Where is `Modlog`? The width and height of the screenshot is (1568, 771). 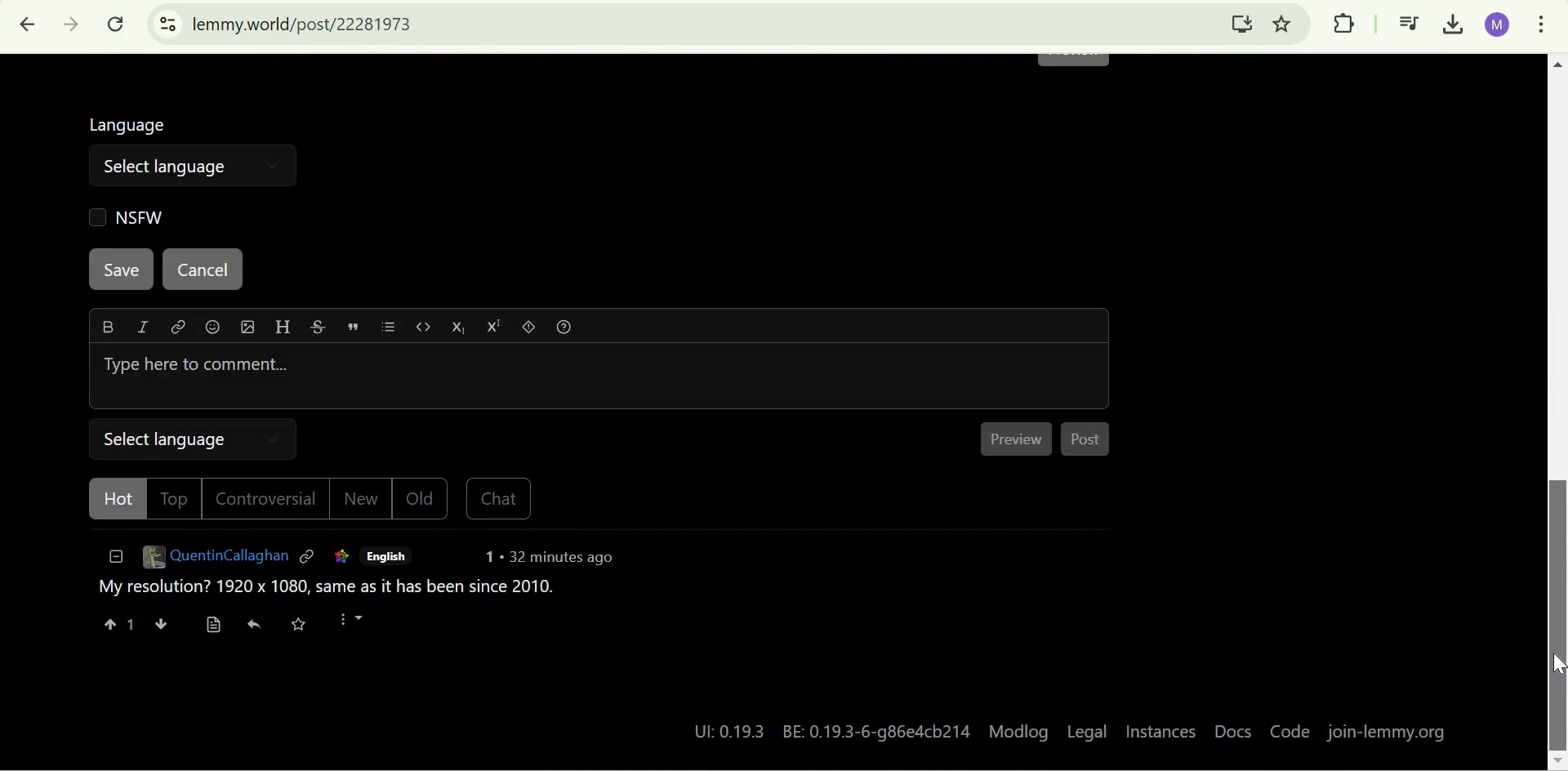
Modlog is located at coordinates (1019, 730).